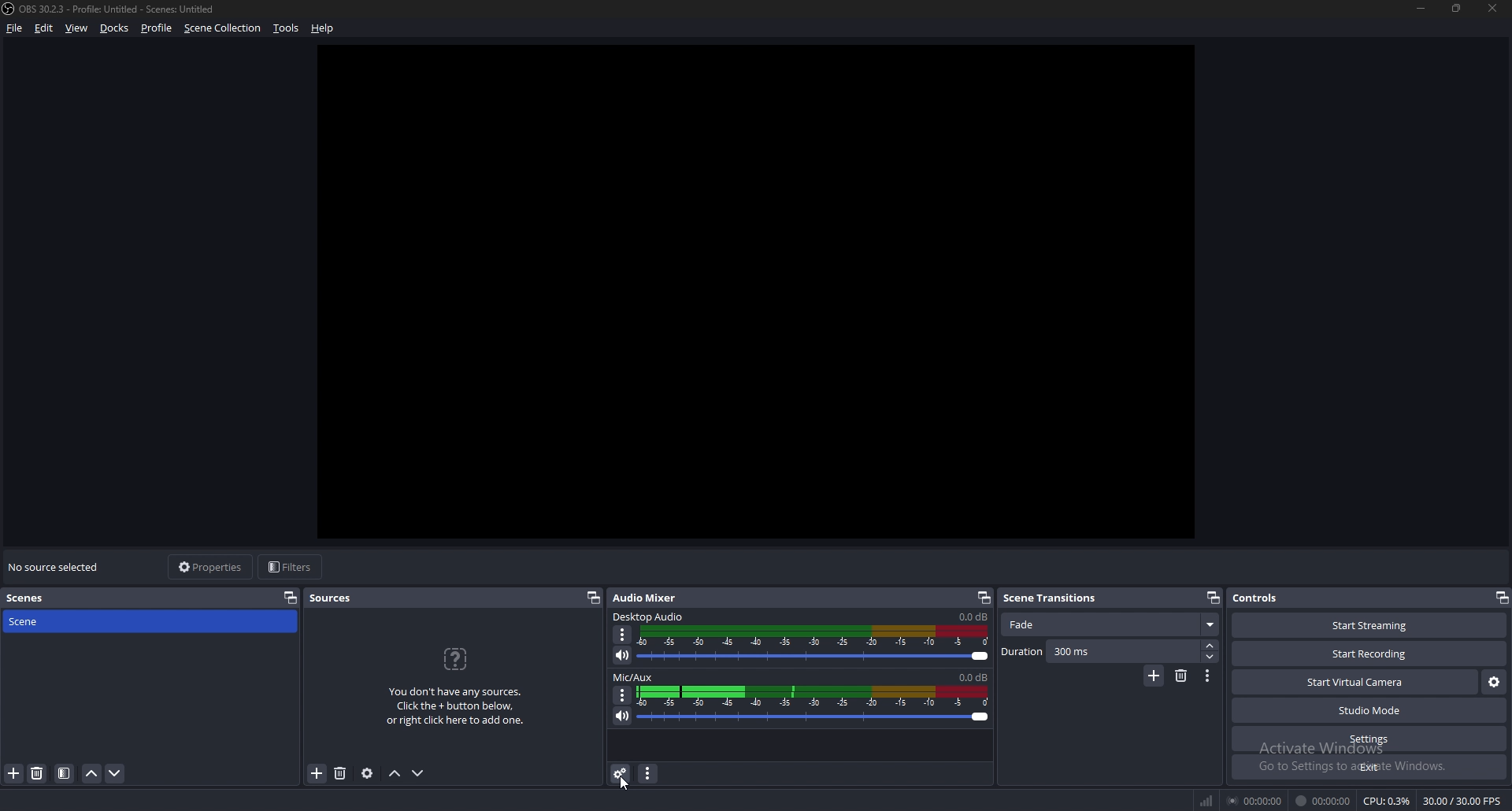  Describe the element at coordinates (817, 644) in the screenshot. I see `desktop audio soundbar` at that location.